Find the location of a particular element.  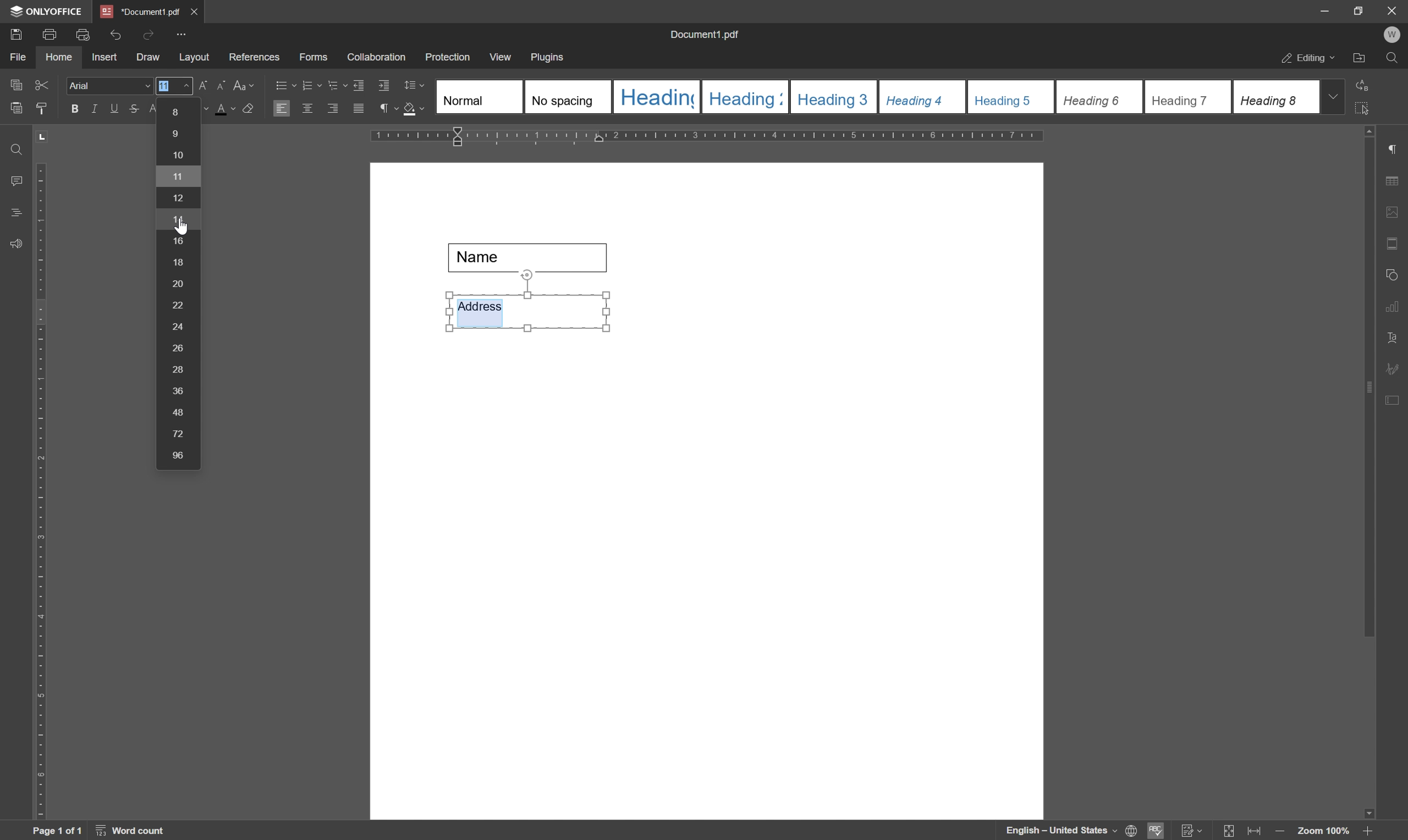

decrease indent is located at coordinates (357, 84).